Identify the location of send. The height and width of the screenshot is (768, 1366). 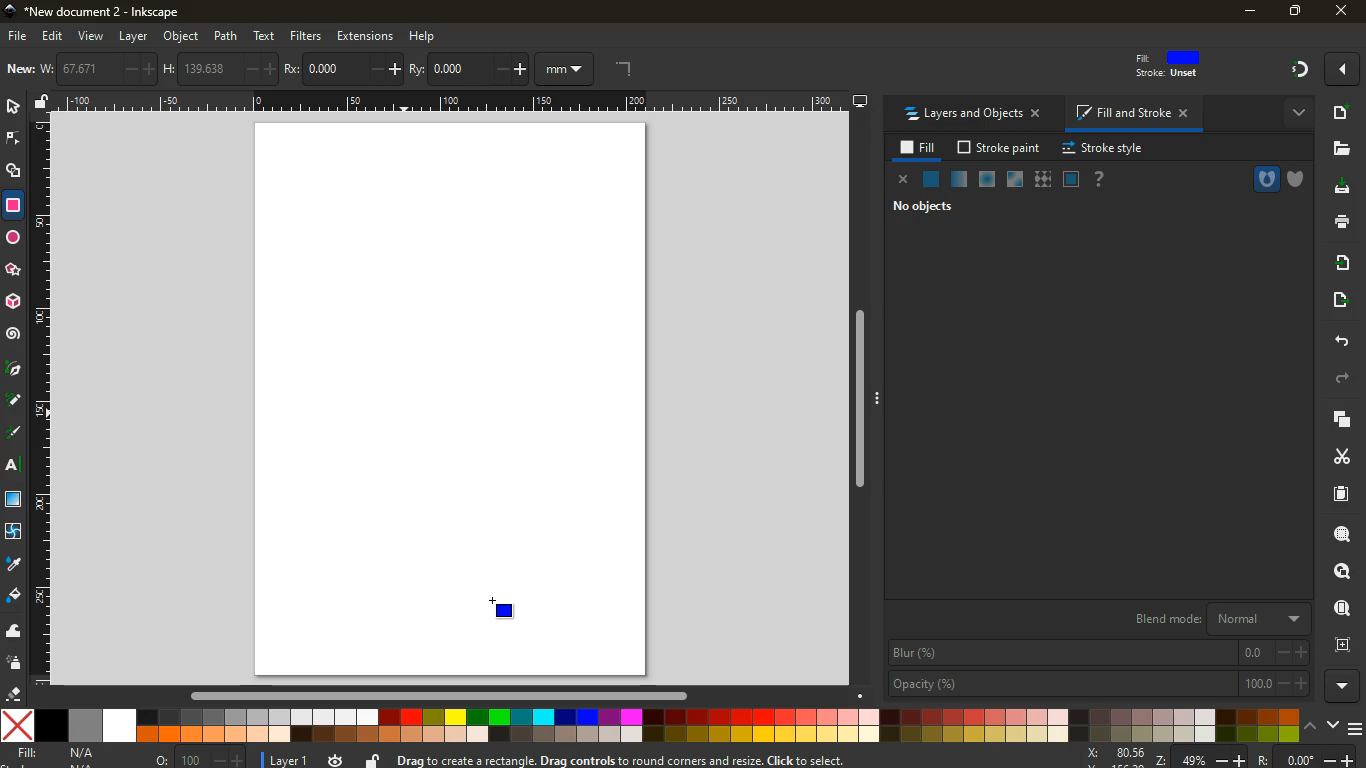
(1336, 301).